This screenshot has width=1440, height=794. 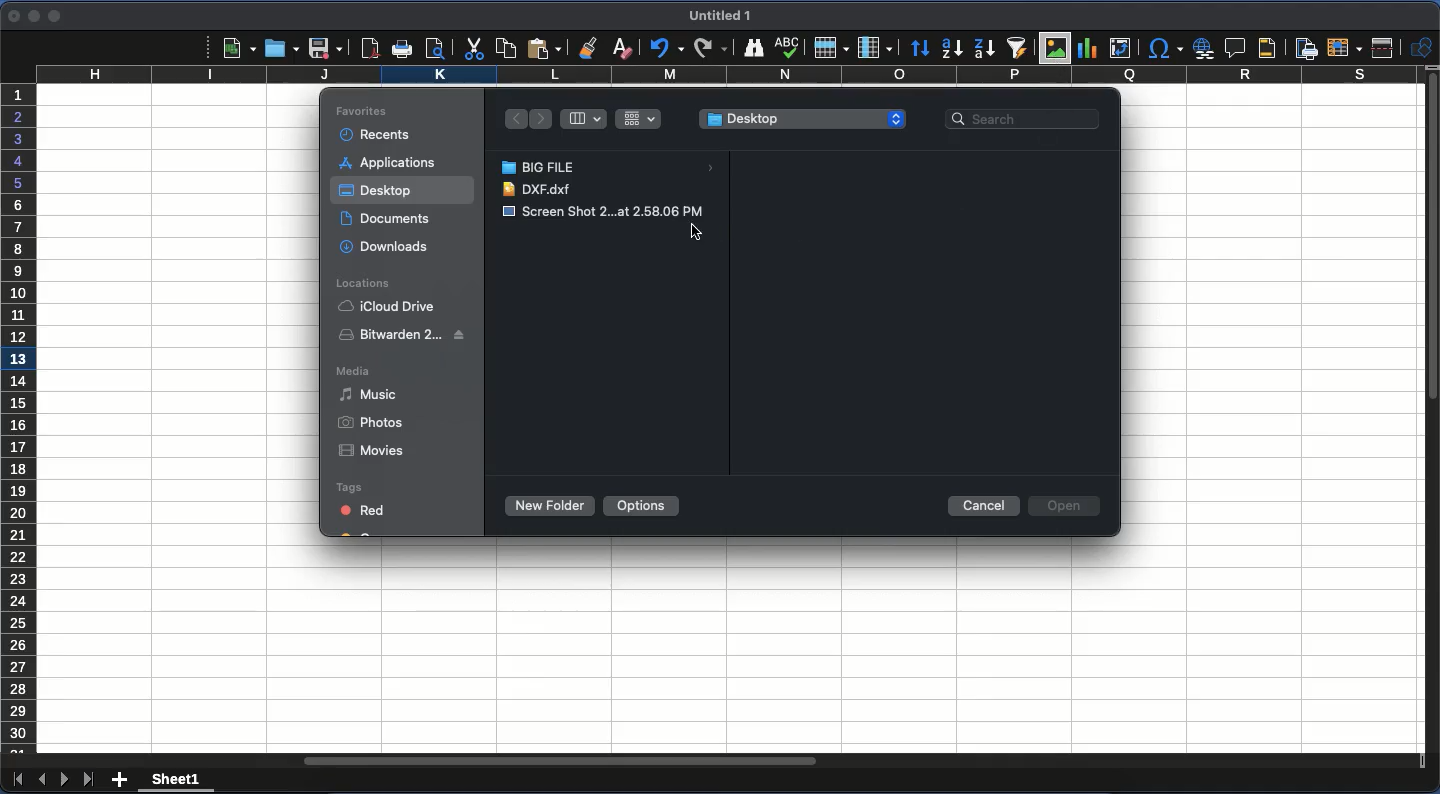 What do you see at coordinates (389, 246) in the screenshot?
I see `downloads` at bounding box center [389, 246].